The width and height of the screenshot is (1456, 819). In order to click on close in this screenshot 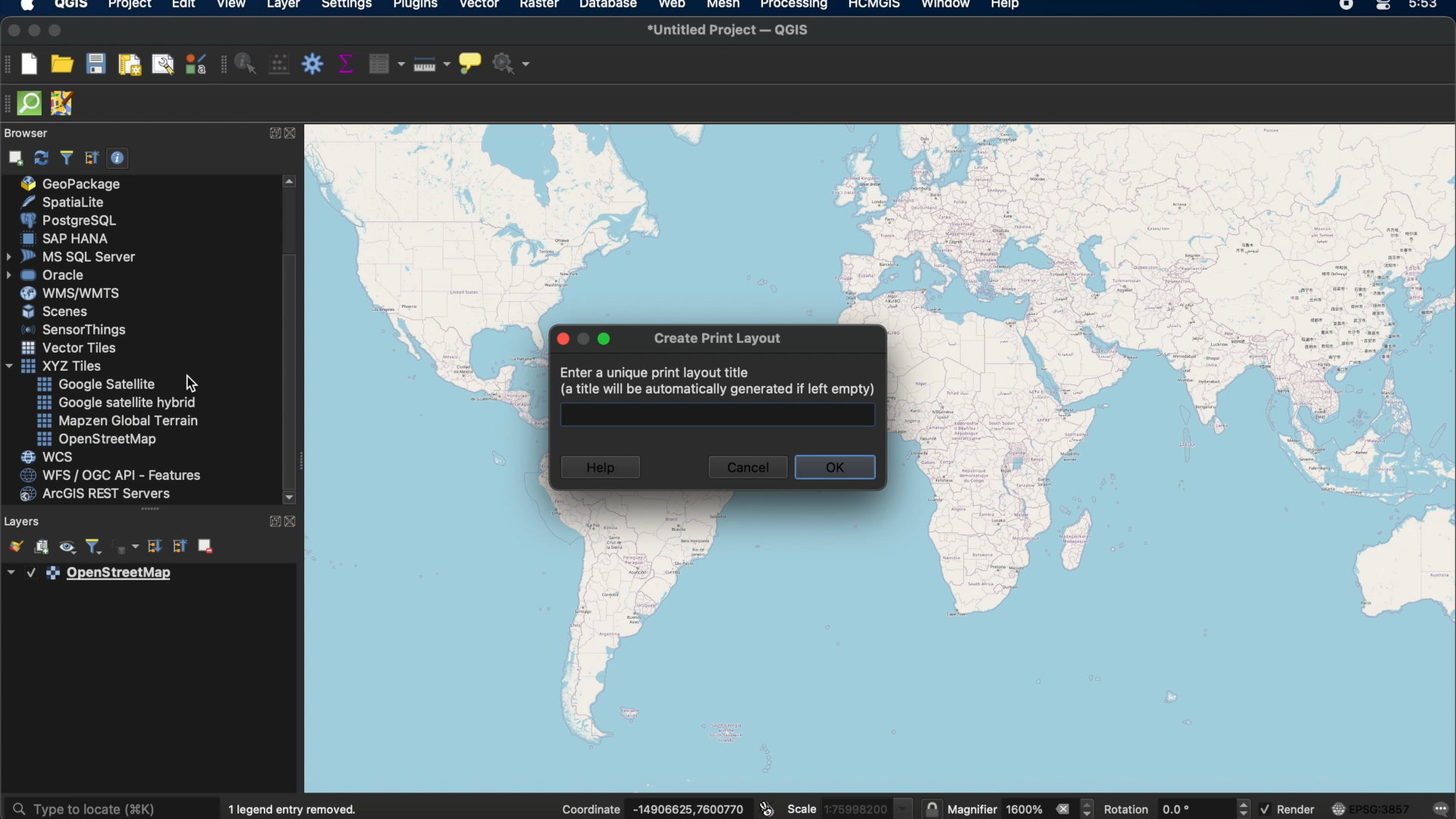, I will do `click(295, 133)`.